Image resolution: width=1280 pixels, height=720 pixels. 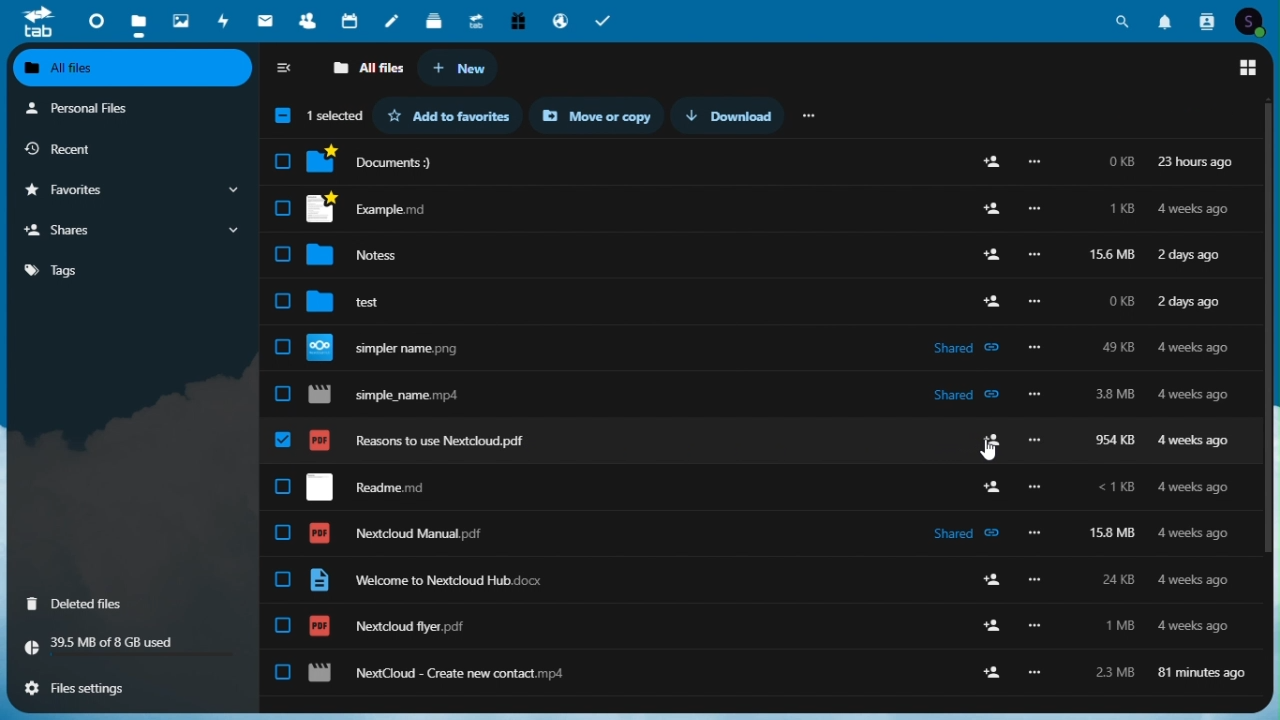 What do you see at coordinates (285, 441) in the screenshot?
I see `checkbox` at bounding box center [285, 441].